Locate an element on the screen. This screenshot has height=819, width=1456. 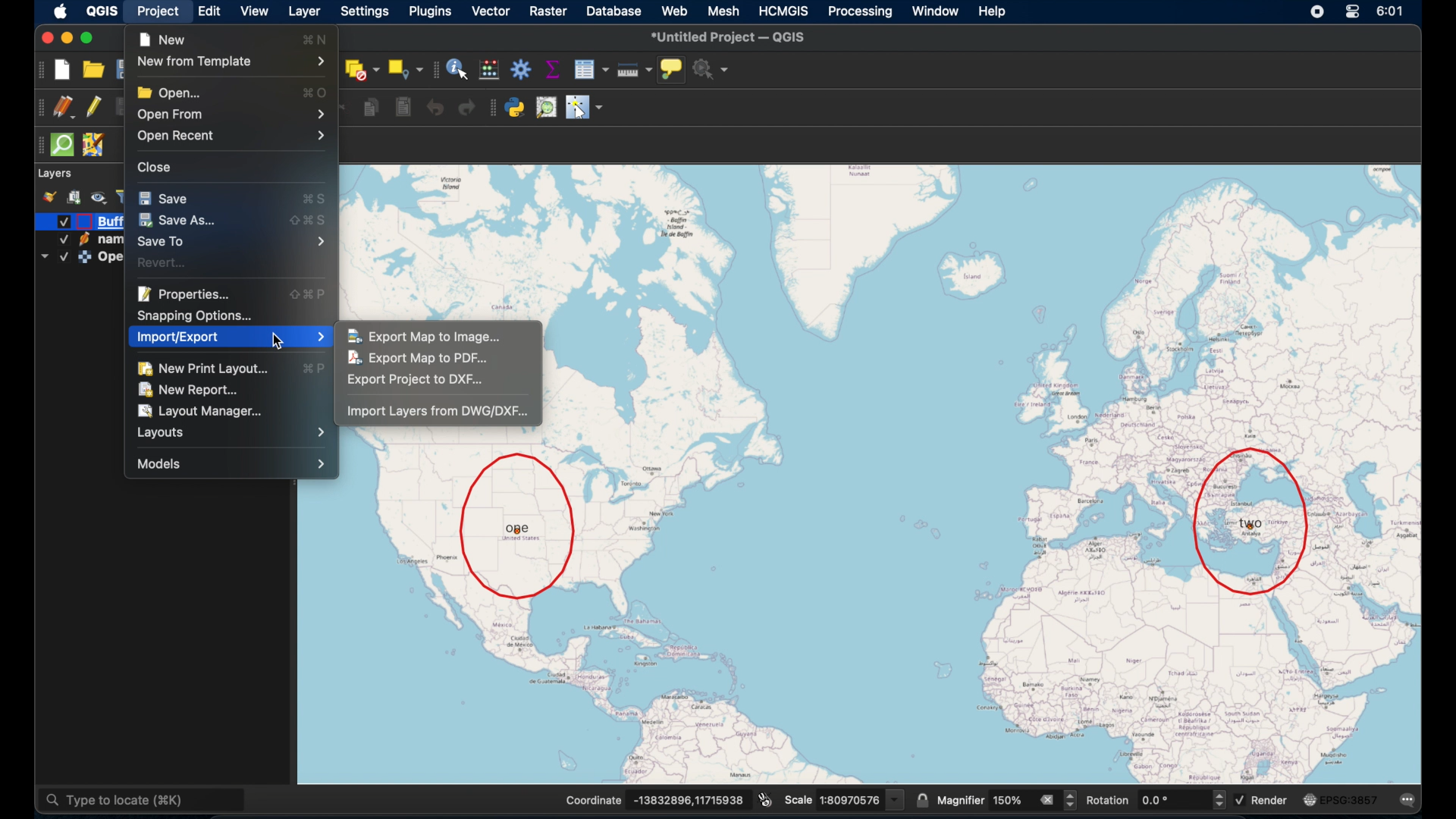
deselect features is located at coordinates (361, 68).